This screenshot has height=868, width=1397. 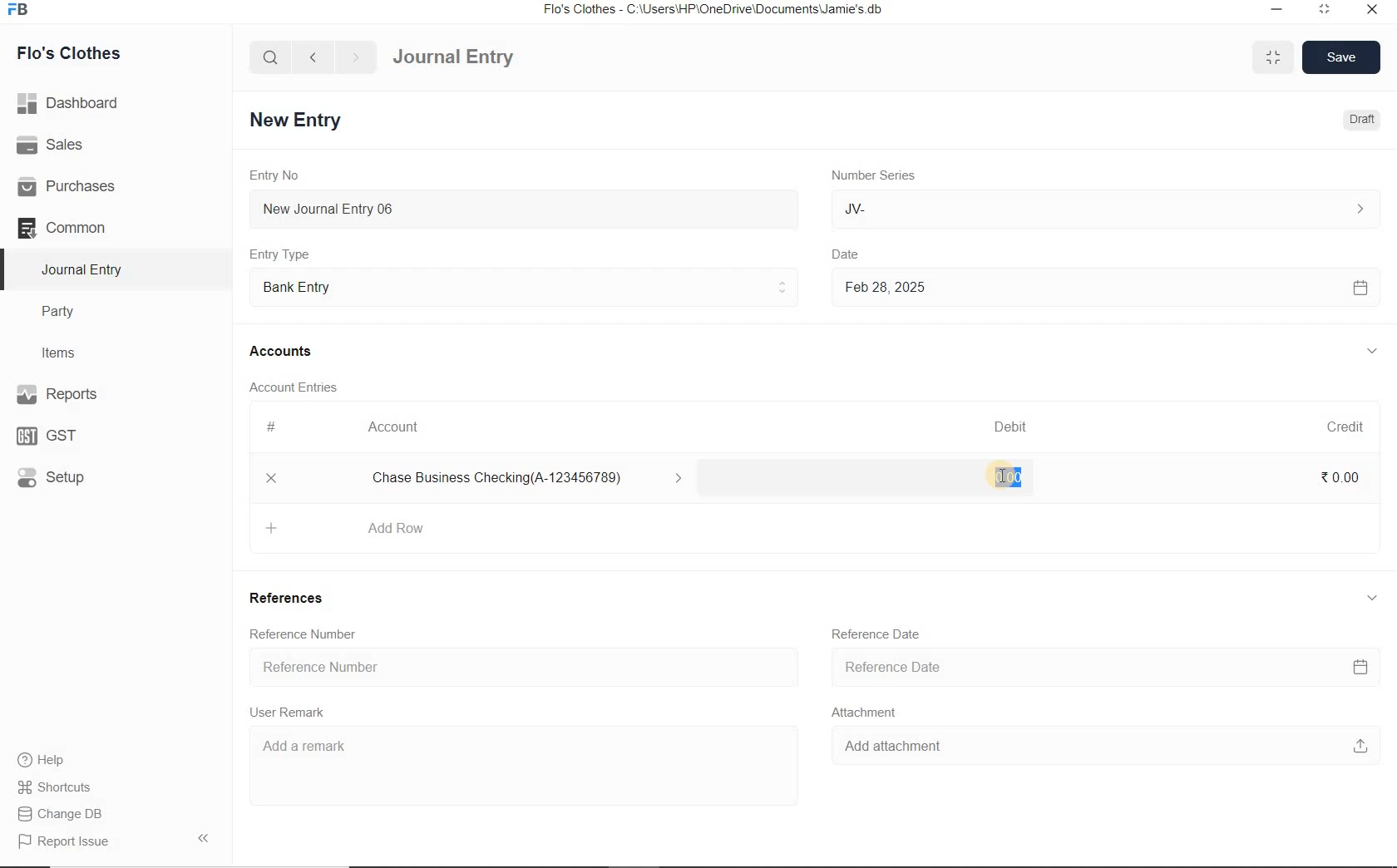 What do you see at coordinates (299, 119) in the screenshot?
I see `New Entry` at bounding box center [299, 119].